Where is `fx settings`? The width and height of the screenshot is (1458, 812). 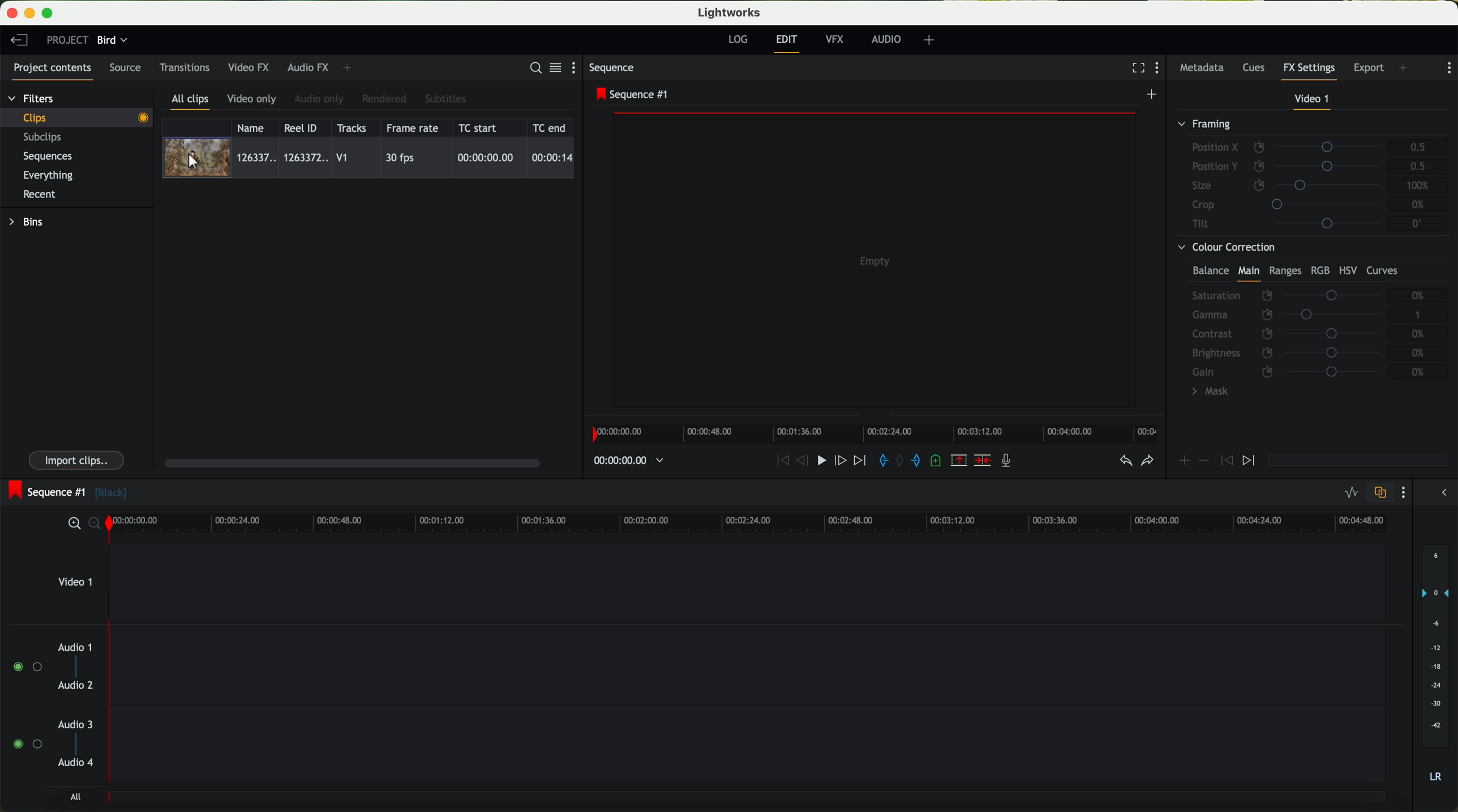 fx settings is located at coordinates (1309, 71).